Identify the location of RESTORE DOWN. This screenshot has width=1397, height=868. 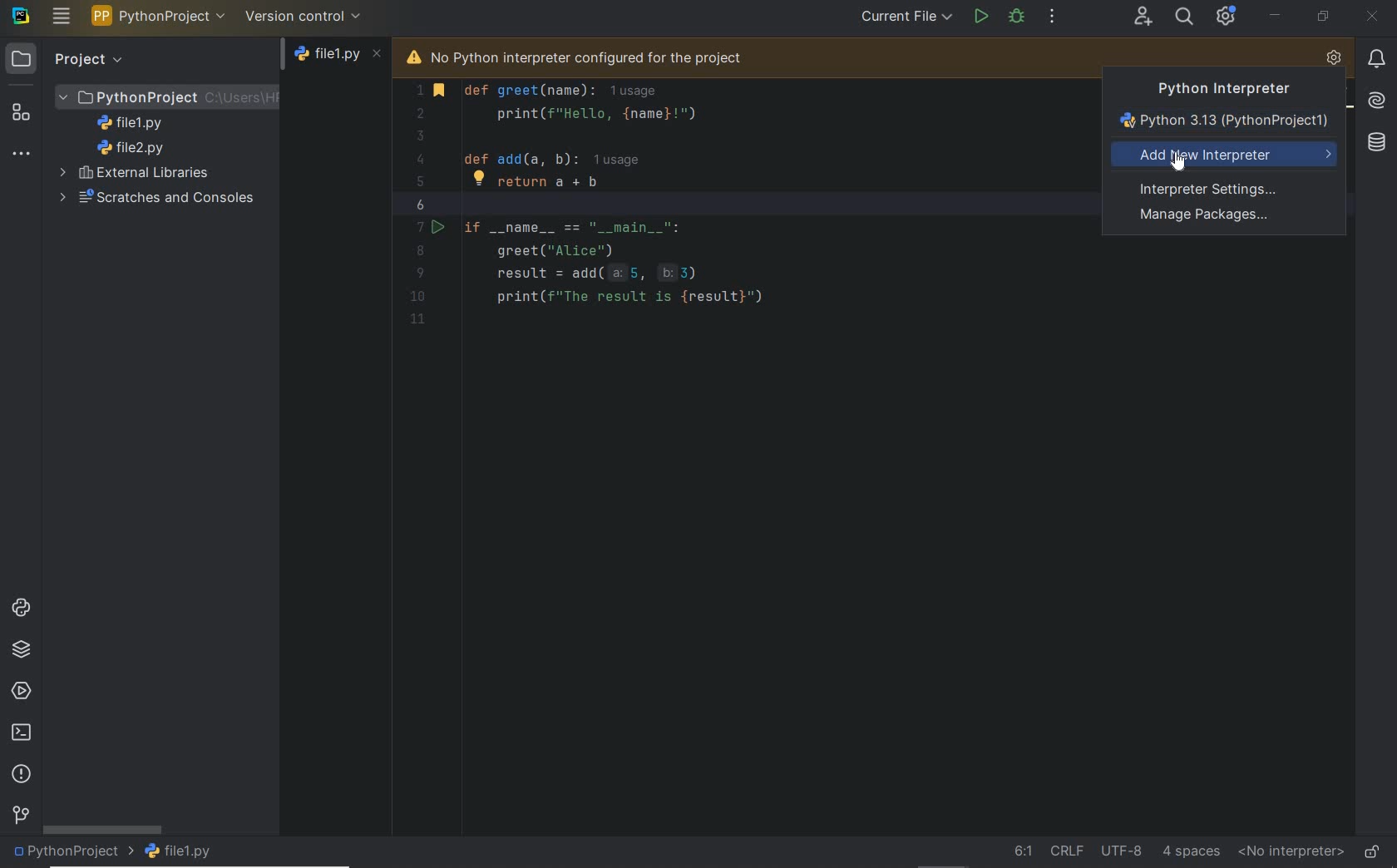
(1322, 16).